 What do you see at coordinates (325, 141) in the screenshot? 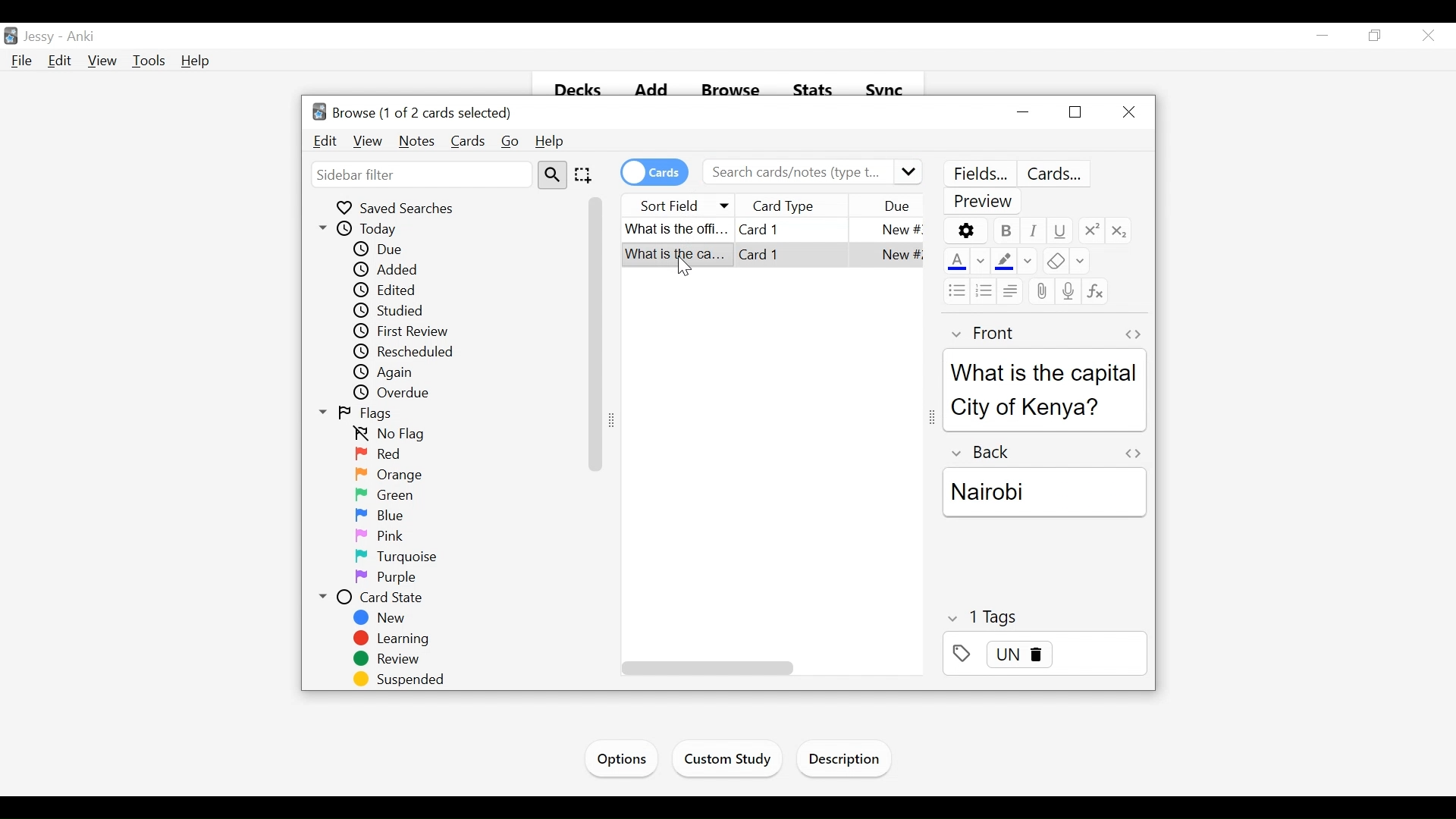
I see `Edit` at bounding box center [325, 141].